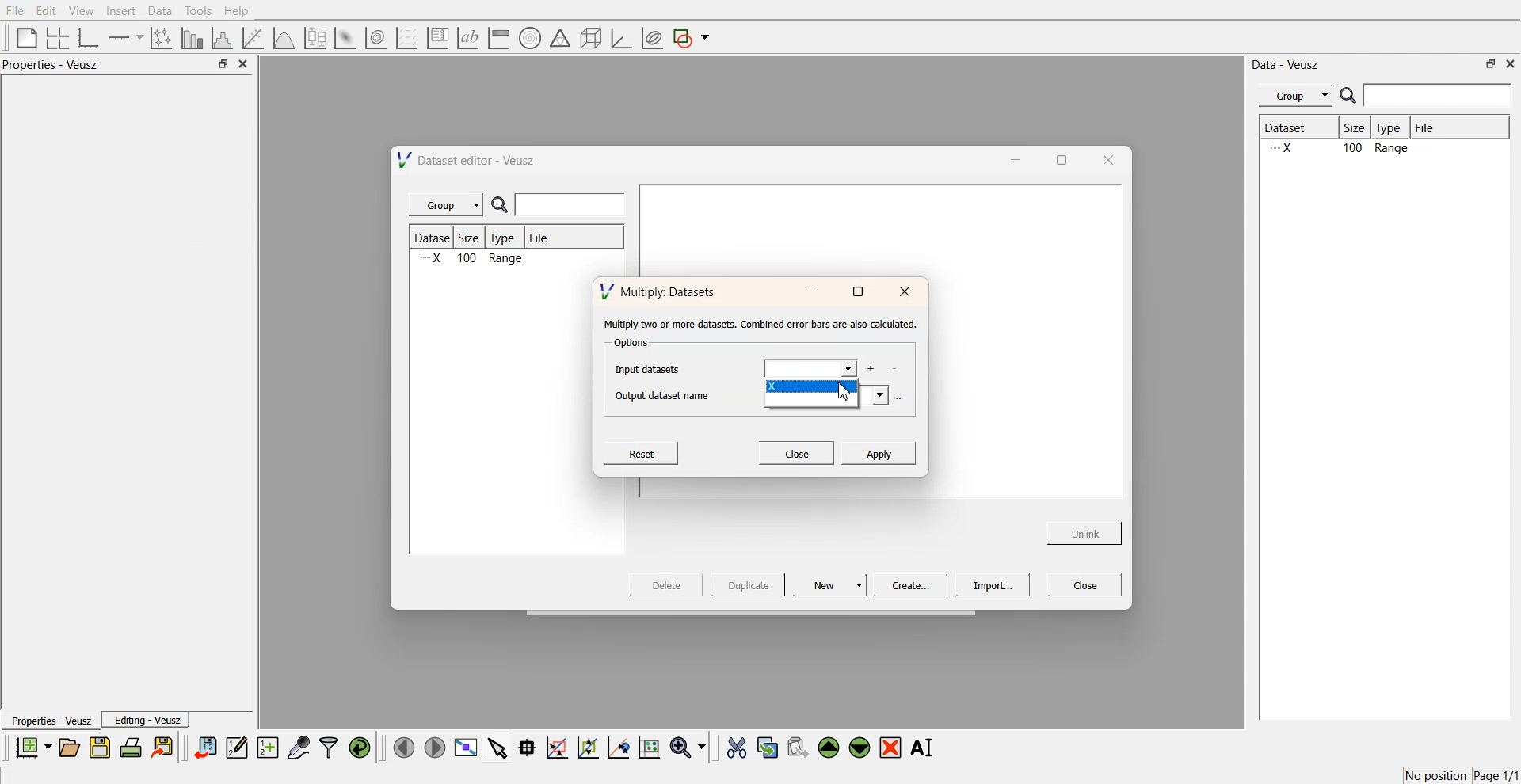  Describe the element at coordinates (692, 39) in the screenshot. I see `add a shape` at that location.